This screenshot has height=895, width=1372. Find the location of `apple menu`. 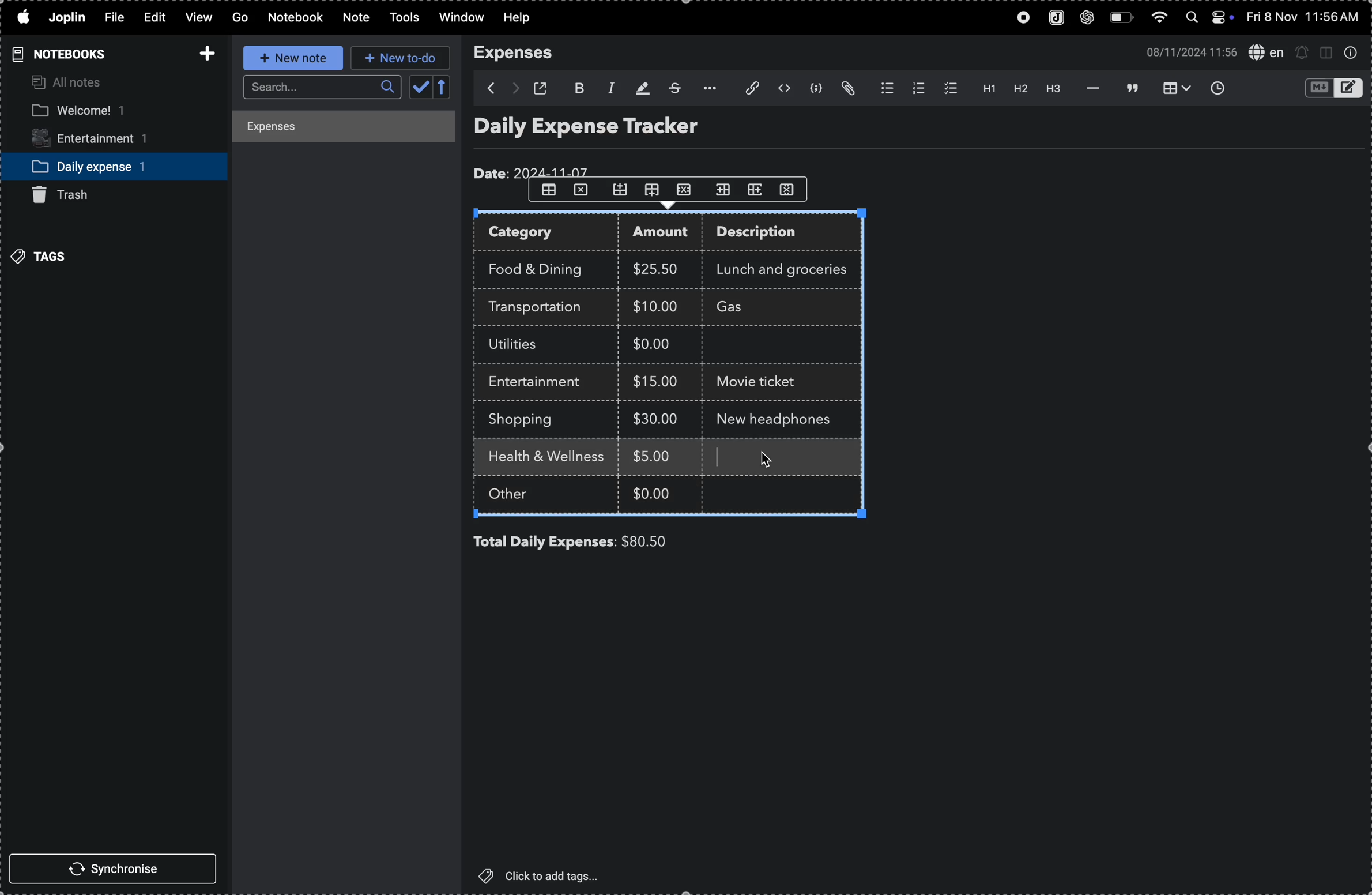

apple menu is located at coordinates (22, 18).